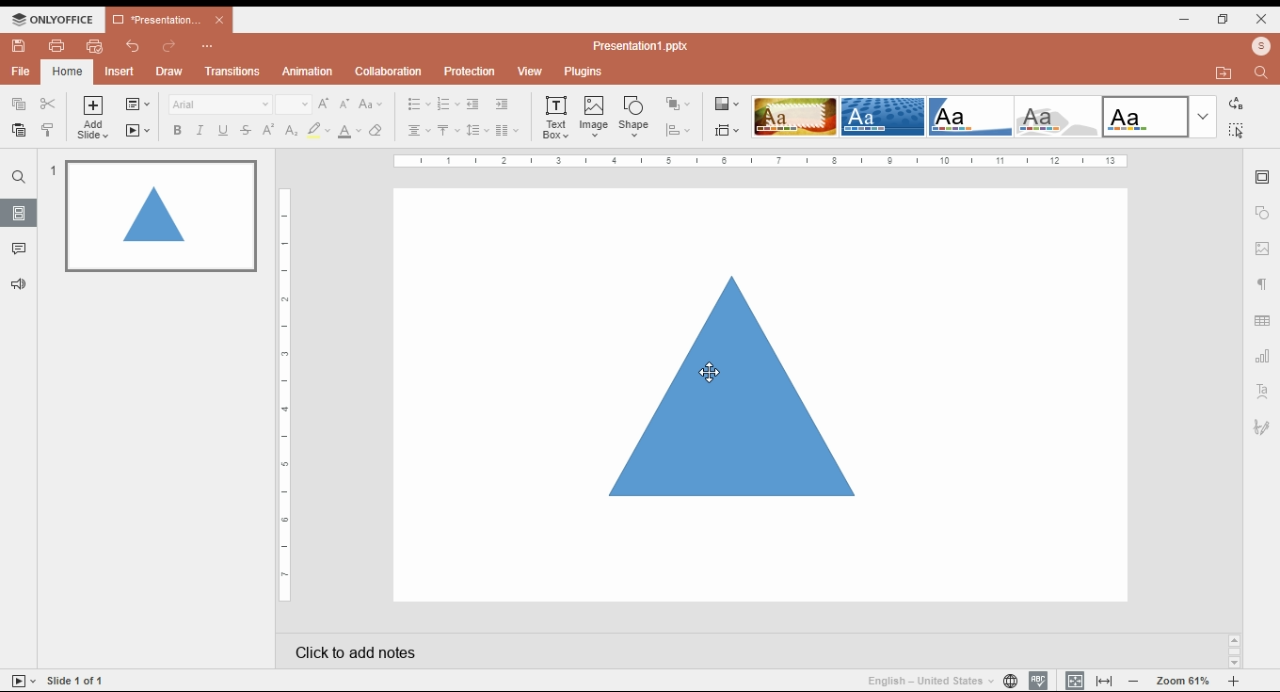 This screenshot has width=1280, height=692. What do you see at coordinates (1233, 650) in the screenshot?
I see `scroll bar` at bounding box center [1233, 650].